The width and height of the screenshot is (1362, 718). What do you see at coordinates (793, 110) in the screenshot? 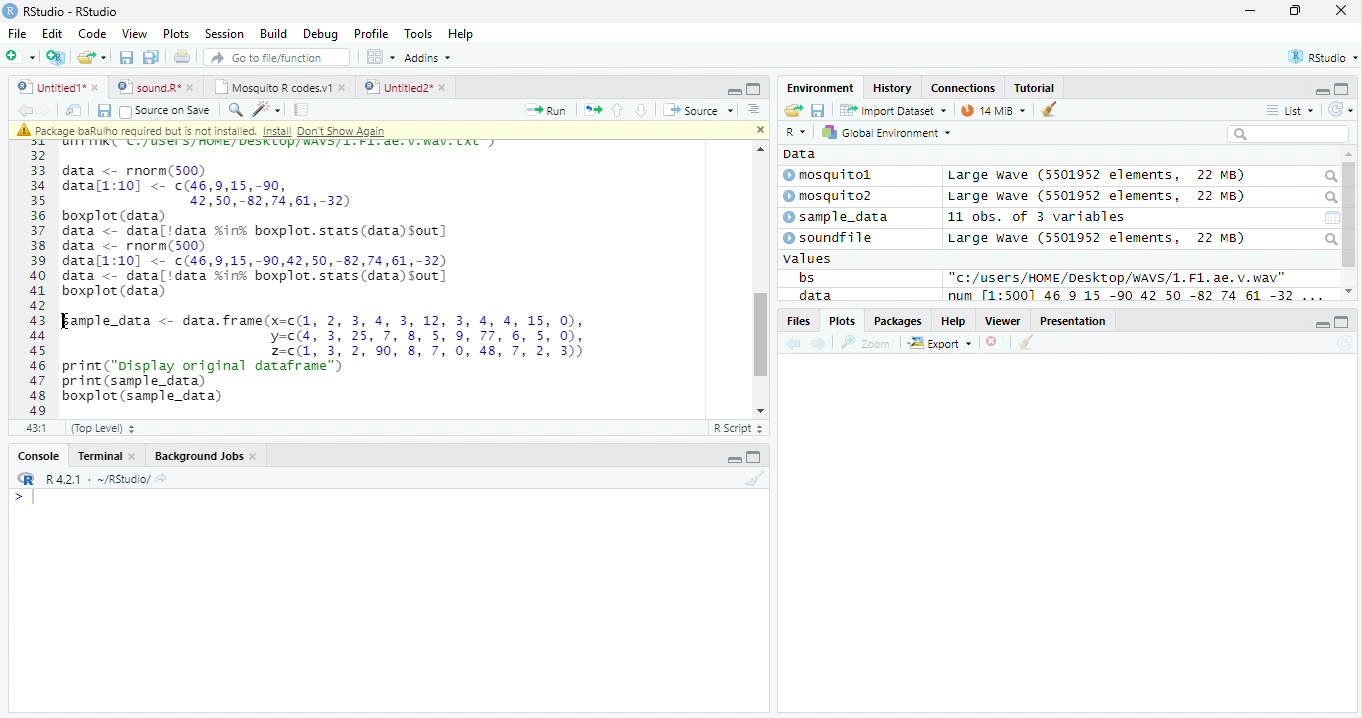
I see `Folder` at bounding box center [793, 110].